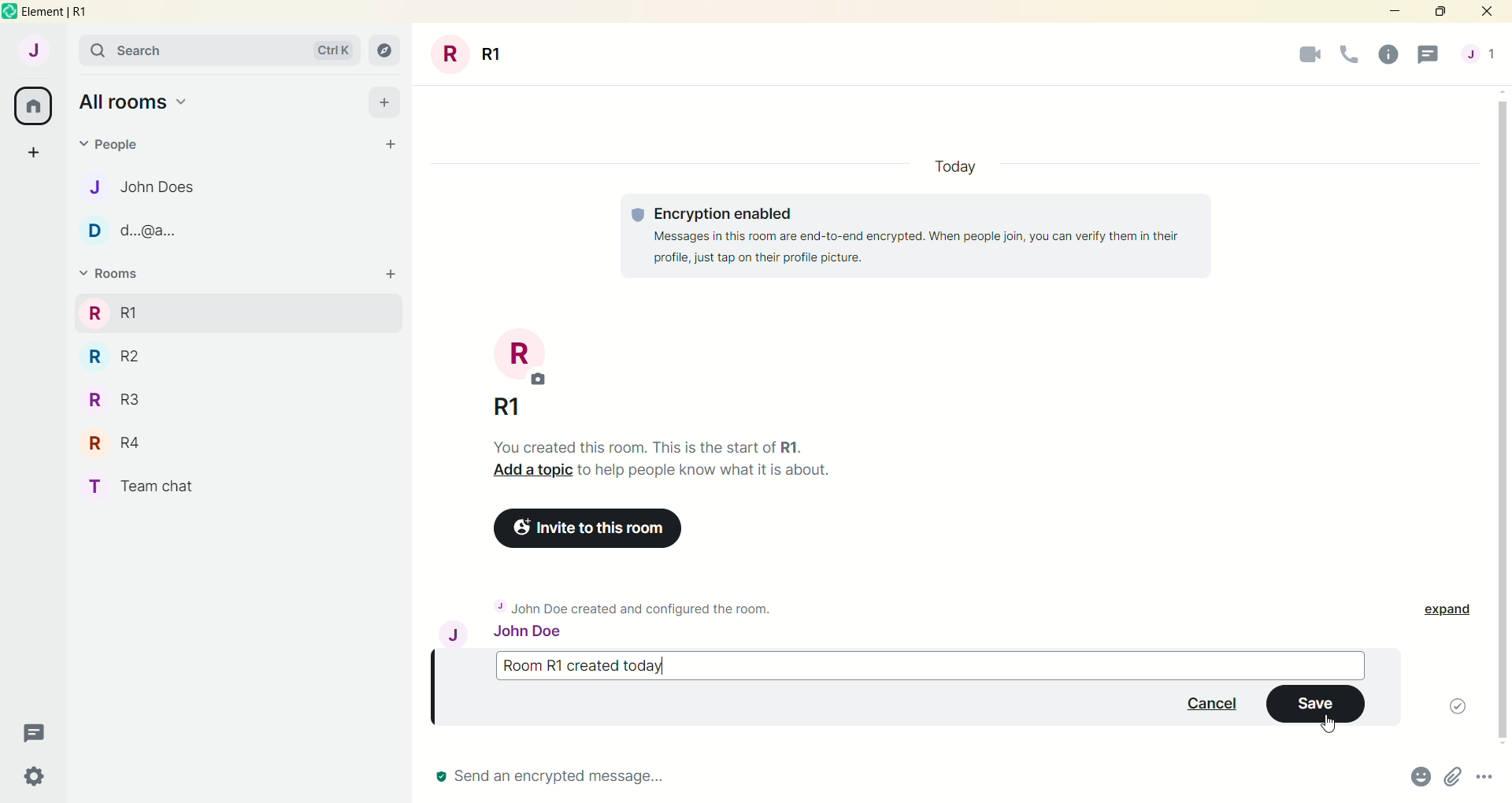  Describe the element at coordinates (138, 354) in the screenshot. I see `R R2` at that location.